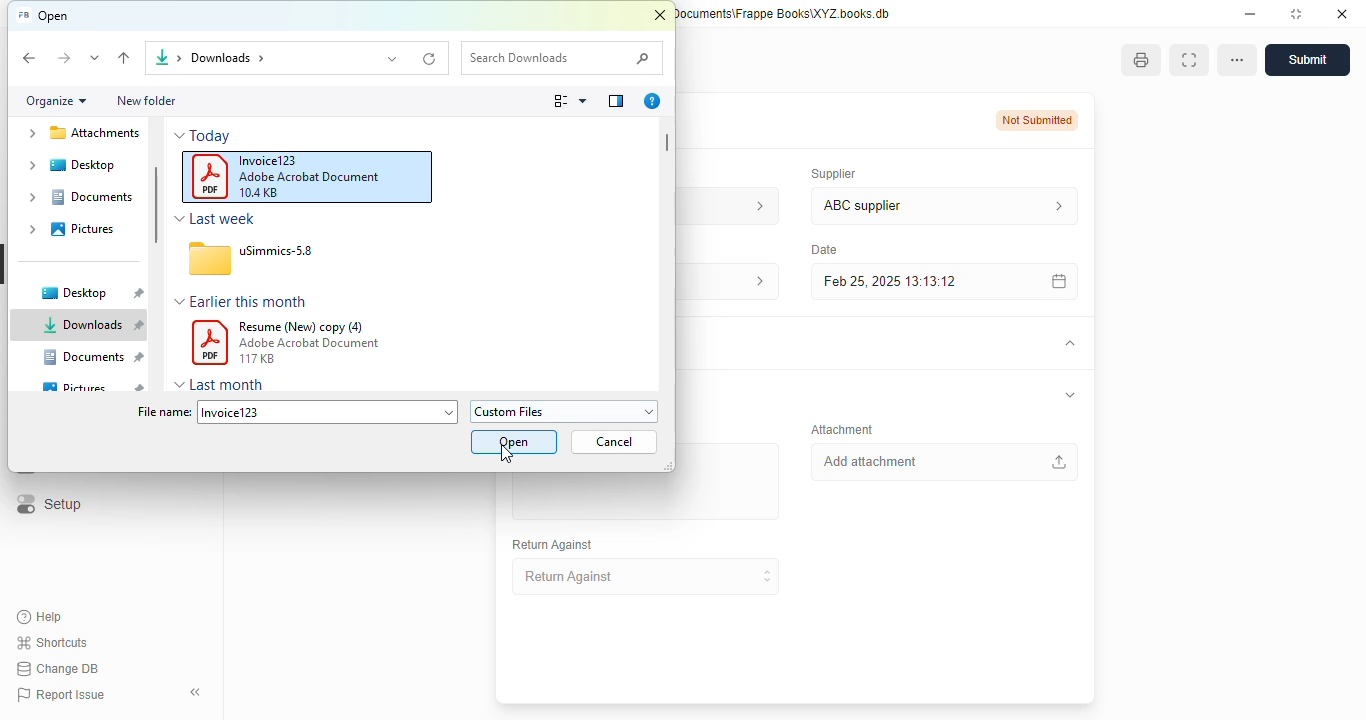 The image size is (1366, 720). Describe the element at coordinates (95, 58) in the screenshot. I see `recent locations` at that location.